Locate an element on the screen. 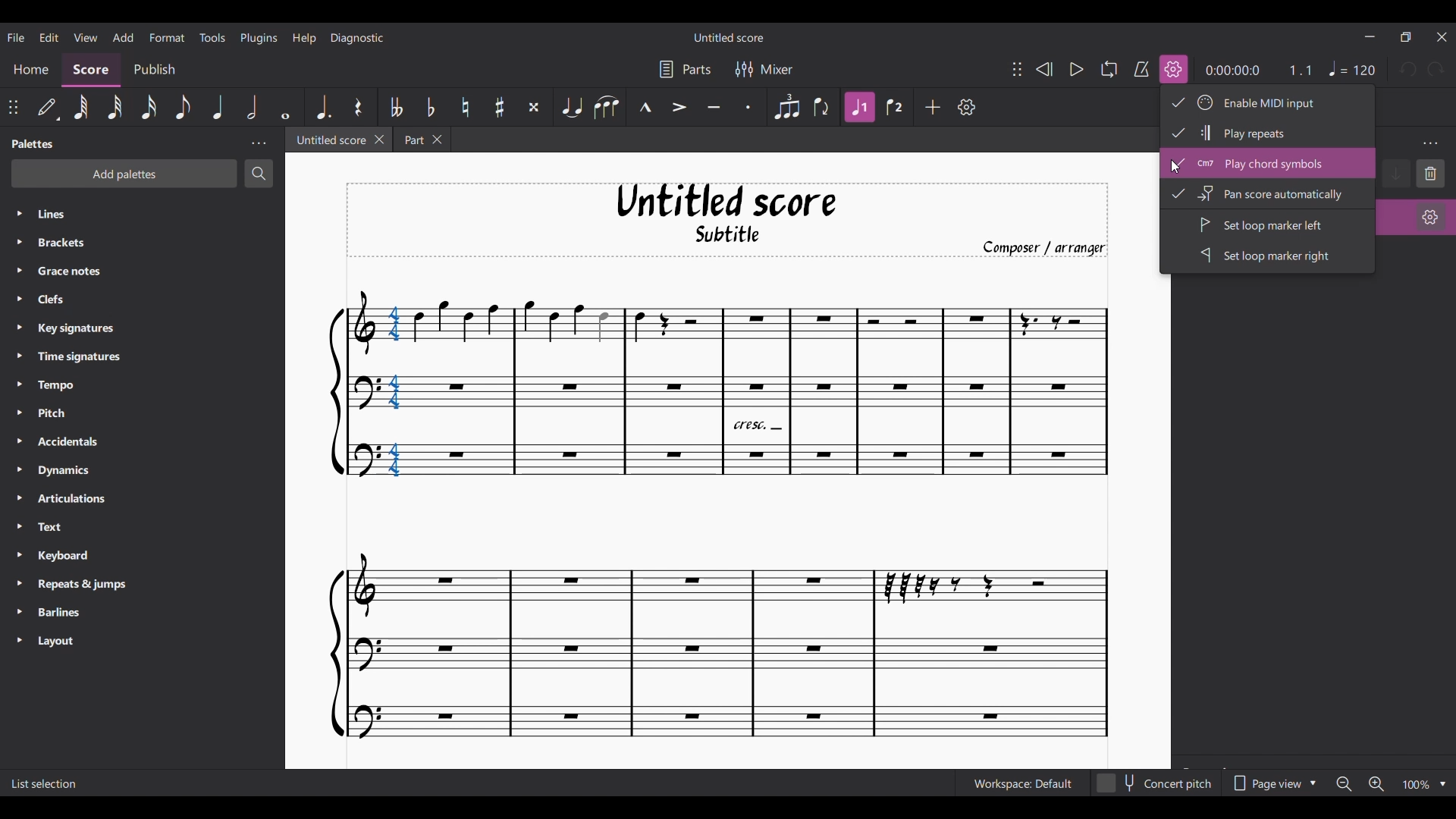  Description of current selection is located at coordinates (49, 783).